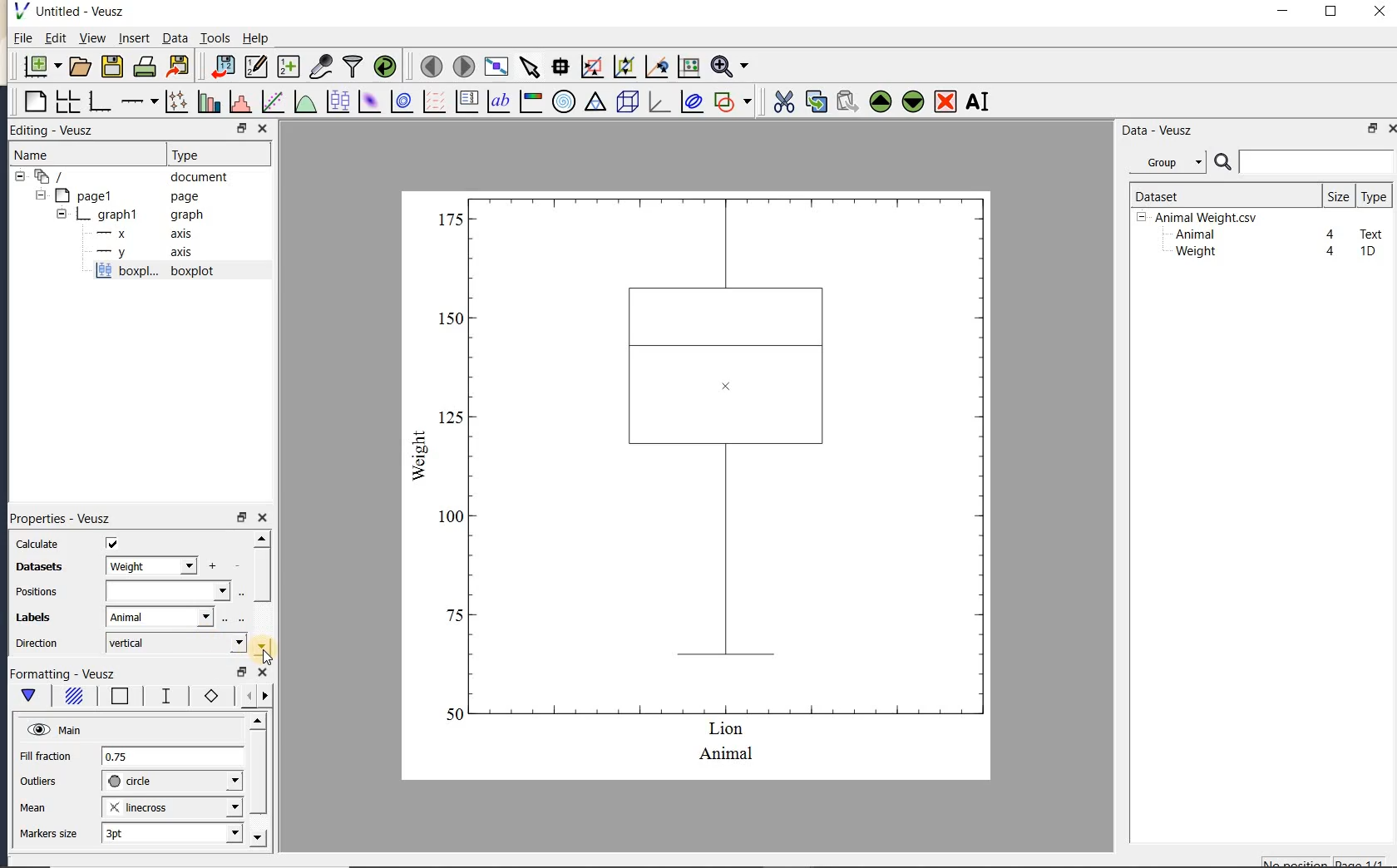 This screenshot has height=868, width=1397. What do you see at coordinates (179, 65) in the screenshot?
I see `export to graphics format` at bounding box center [179, 65].